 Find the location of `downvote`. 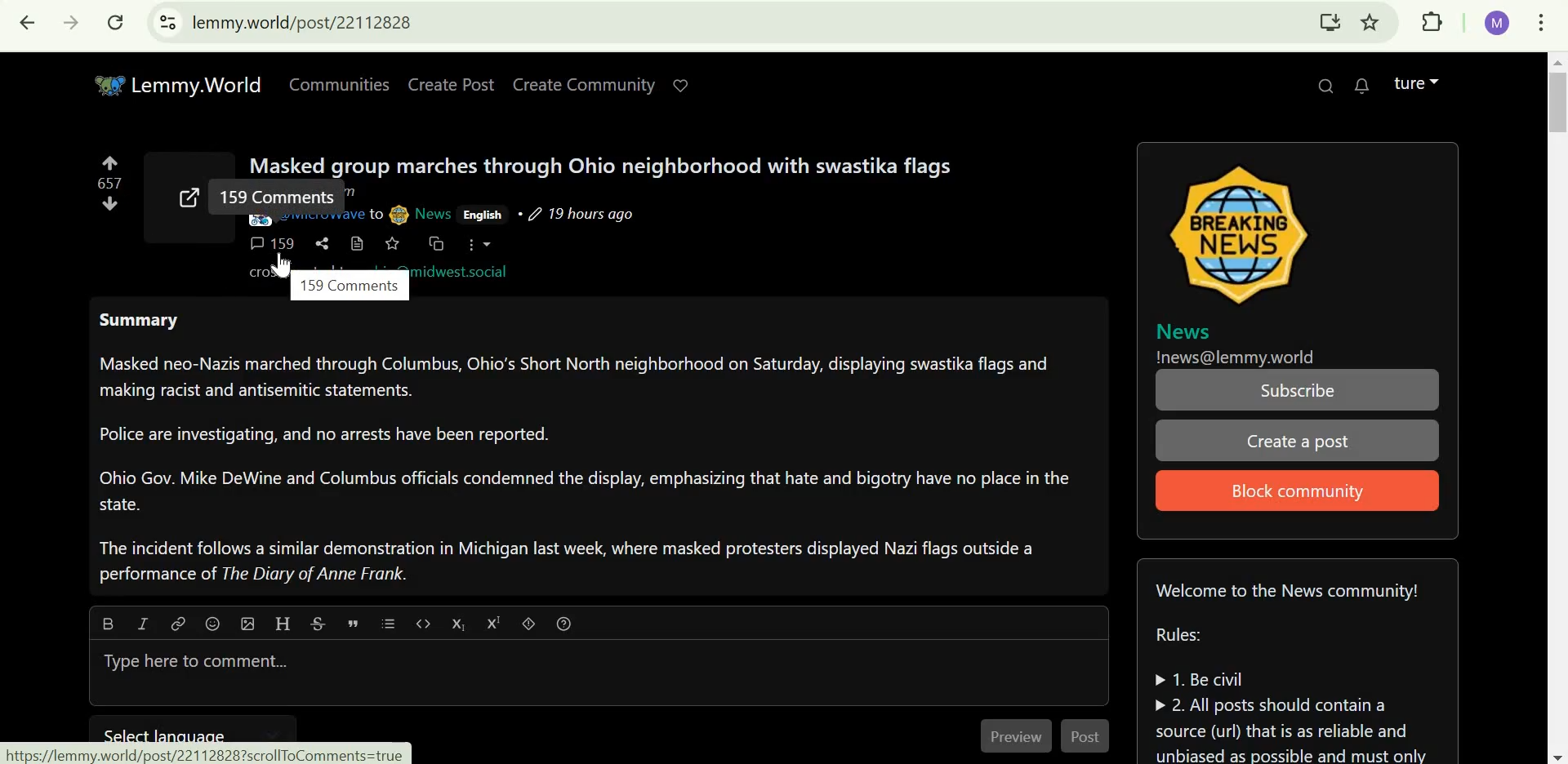

downvote is located at coordinates (109, 203).